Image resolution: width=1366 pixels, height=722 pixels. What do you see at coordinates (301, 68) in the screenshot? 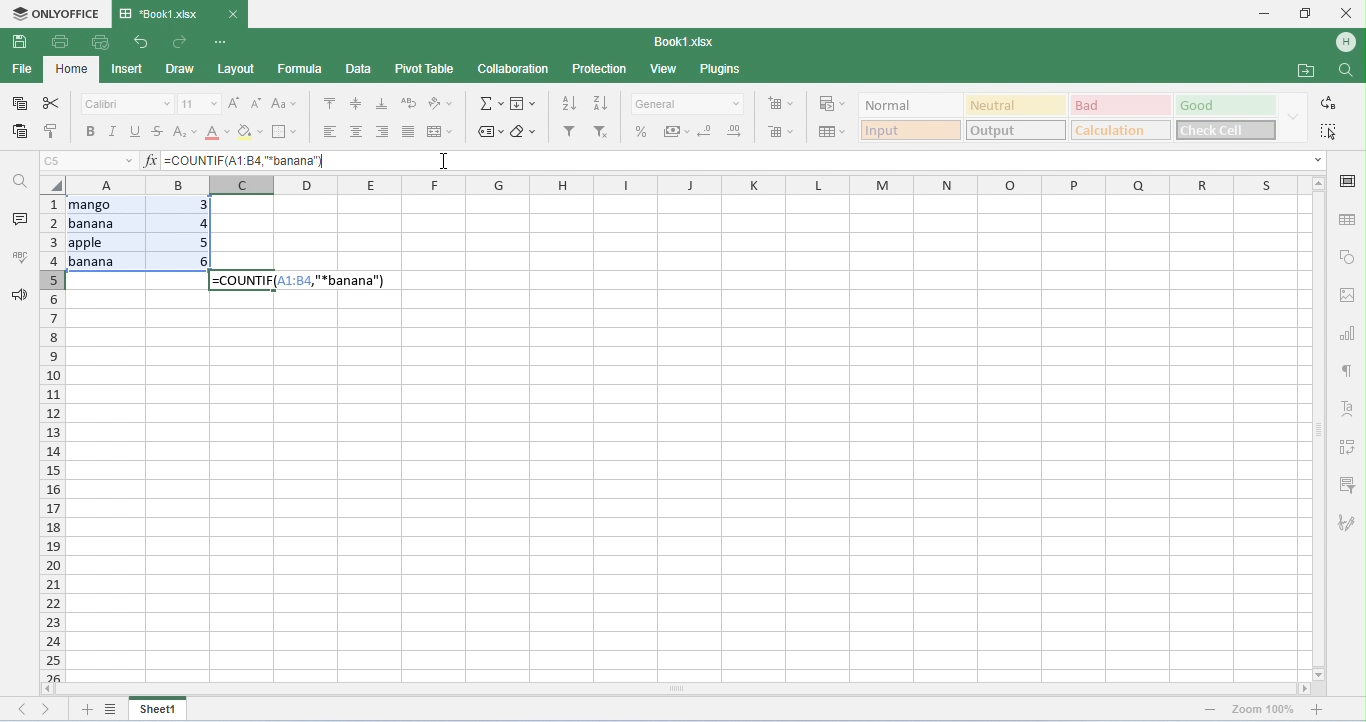
I see `formula` at bounding box center [301, 68].